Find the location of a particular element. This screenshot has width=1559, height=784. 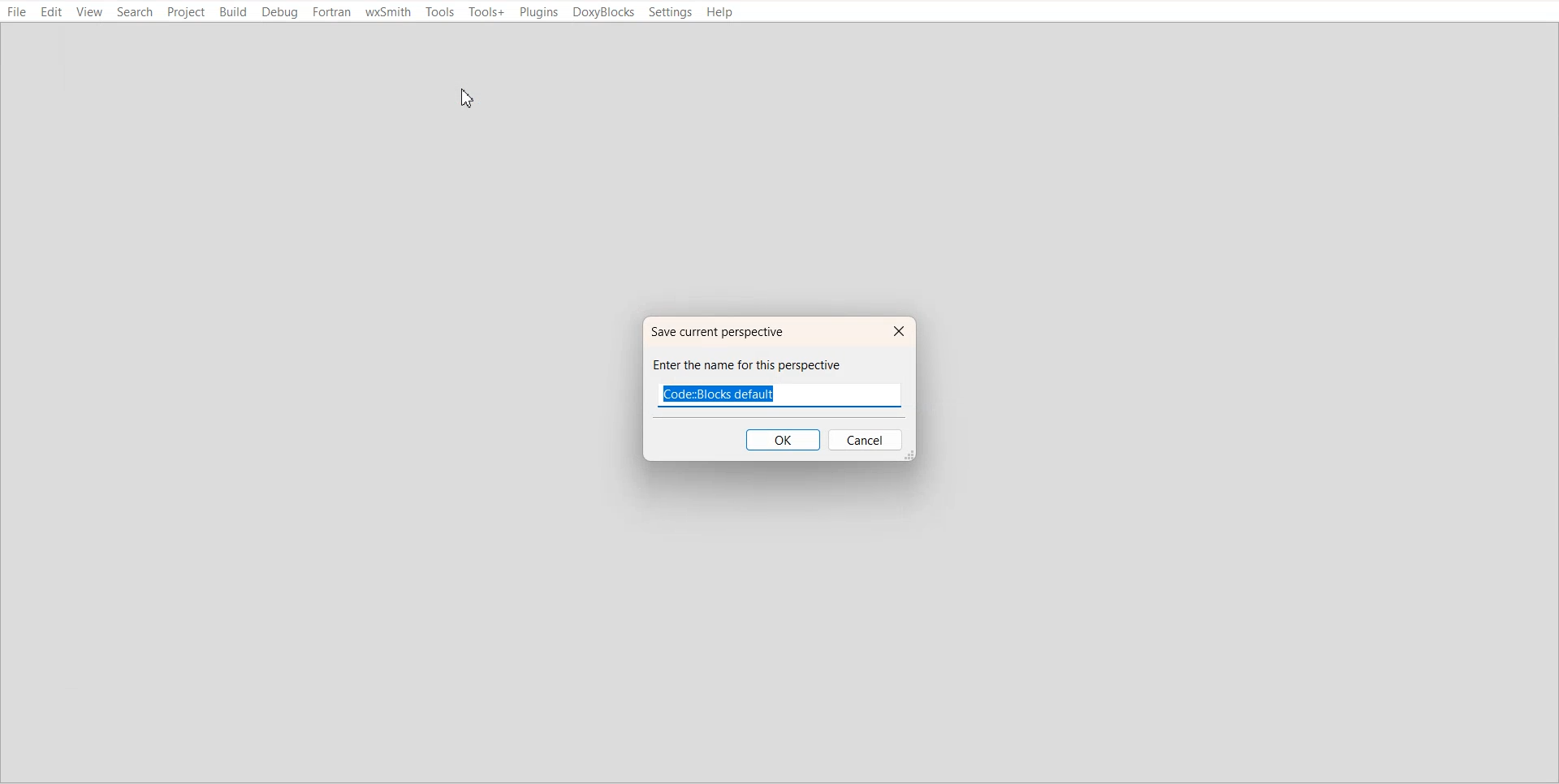

Close is located at coordinates (896, 332).